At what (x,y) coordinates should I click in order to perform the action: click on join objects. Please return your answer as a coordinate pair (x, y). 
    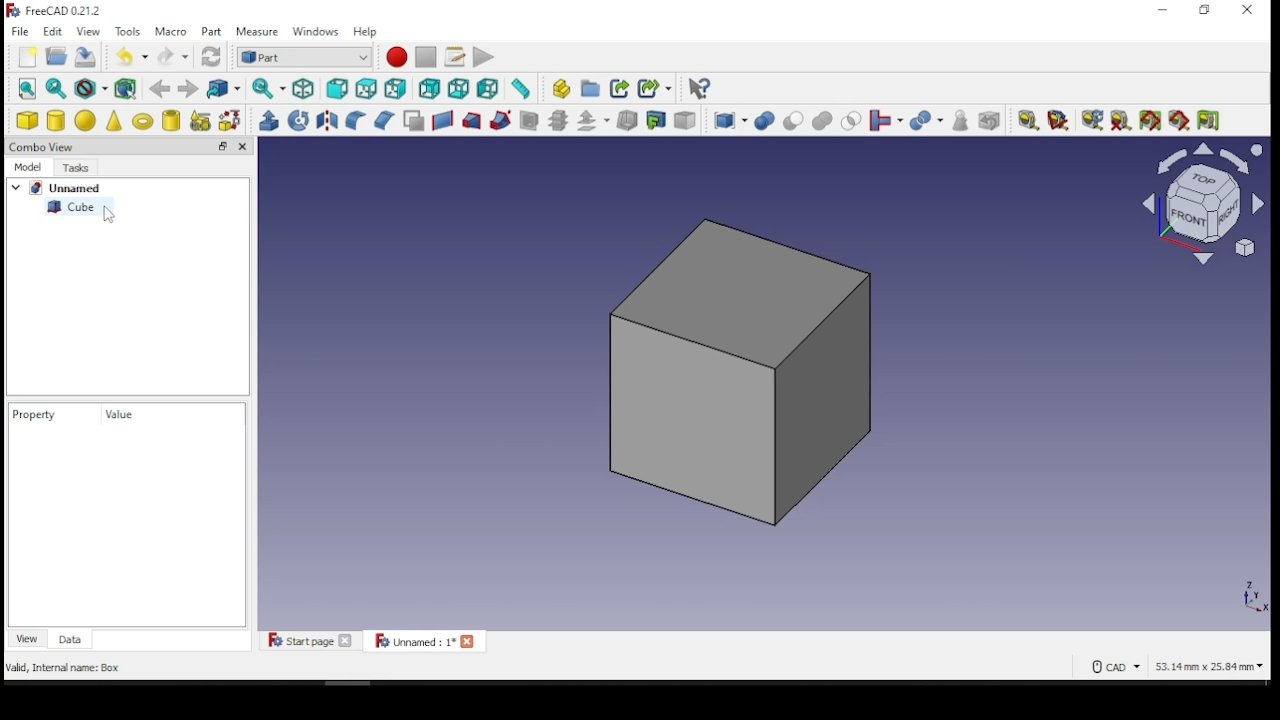
    Looking at the image, I should click on (886, 121).